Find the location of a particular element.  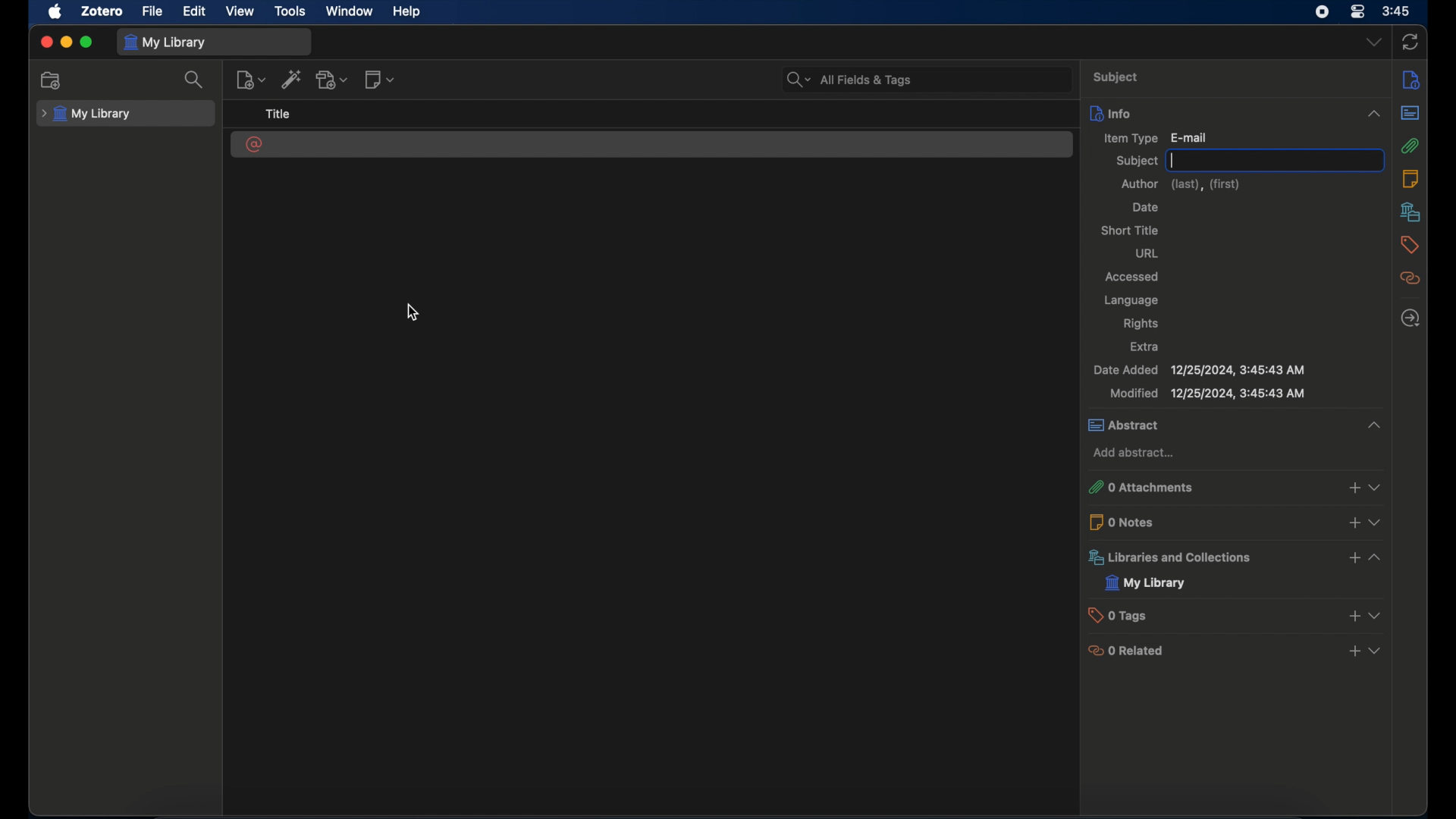

libraries is located at coordinates (1409, 212).